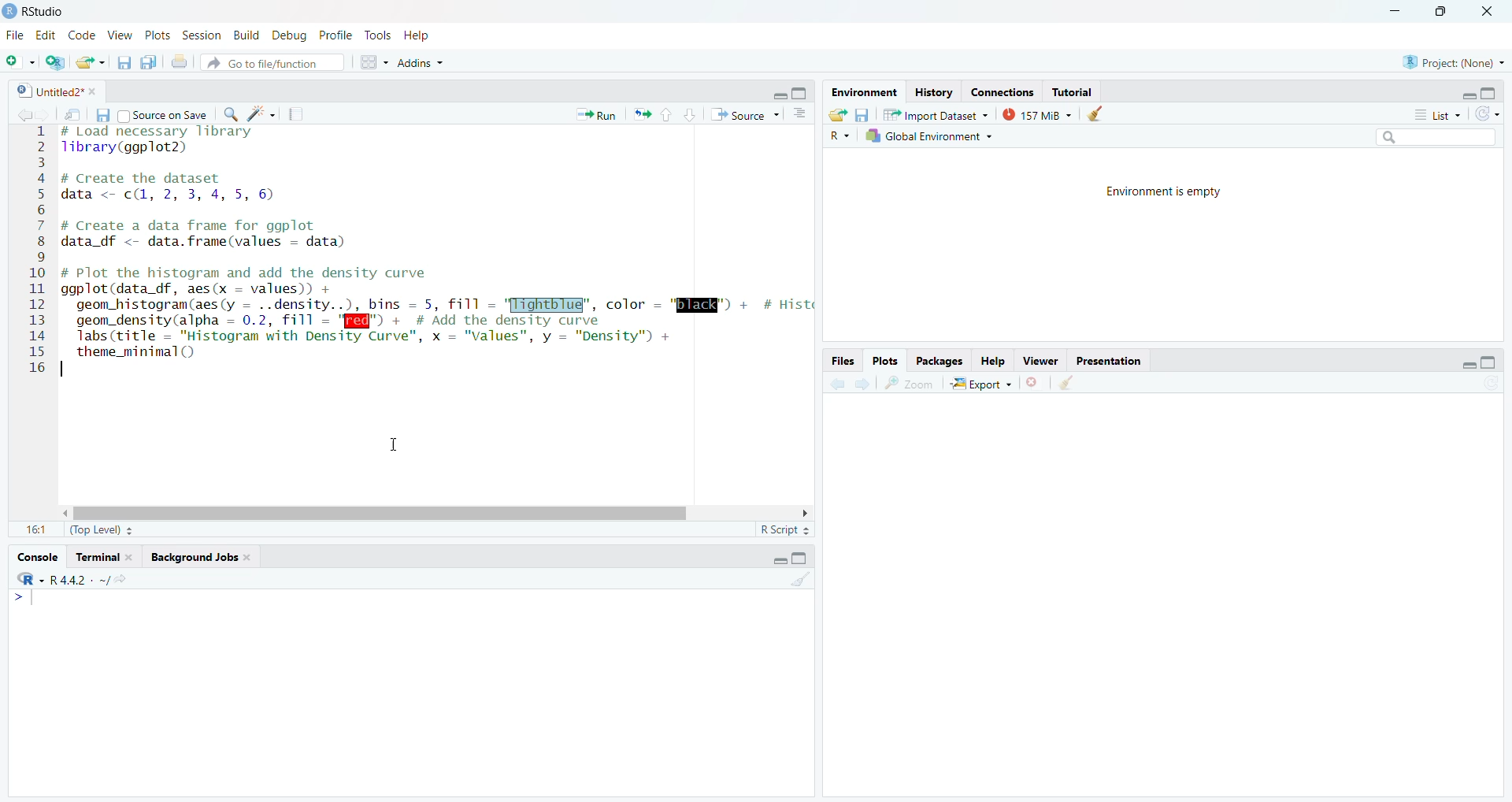  I want to click on >, so click(18, 598).